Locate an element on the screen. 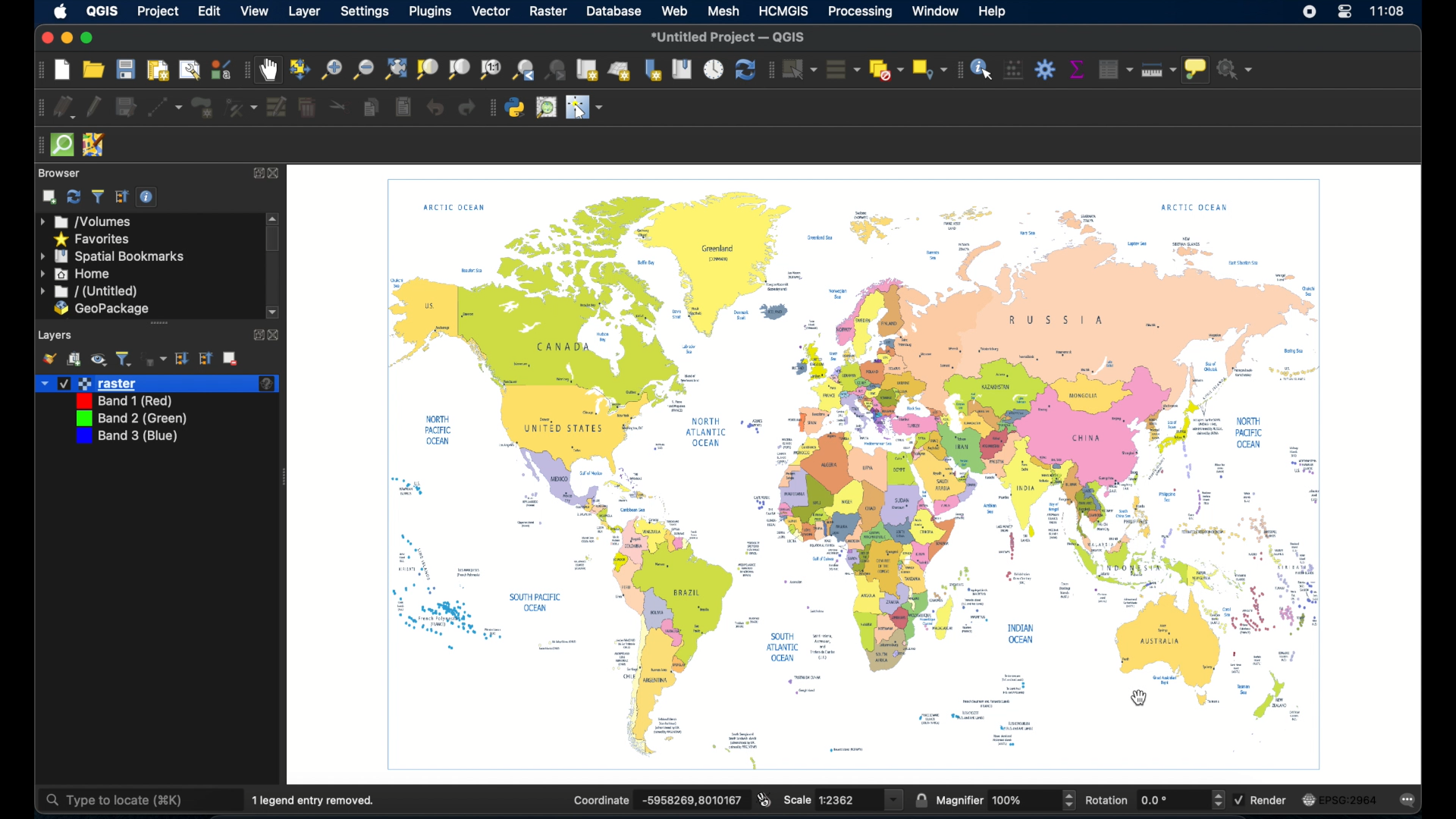  add polygon feature is located at coordinates (202, 108).